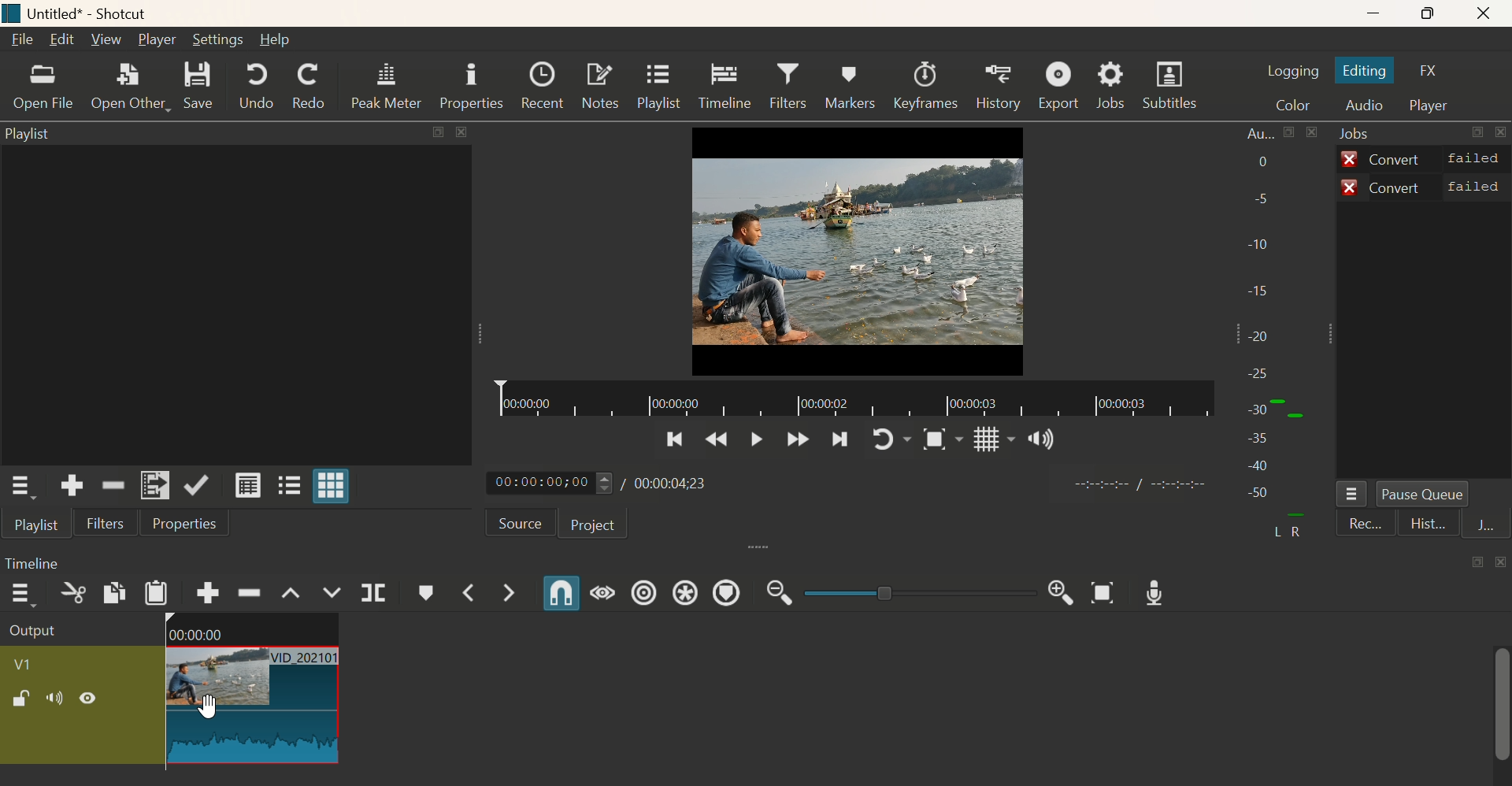  I want to click on Playlist Menu, so click(27, 489).